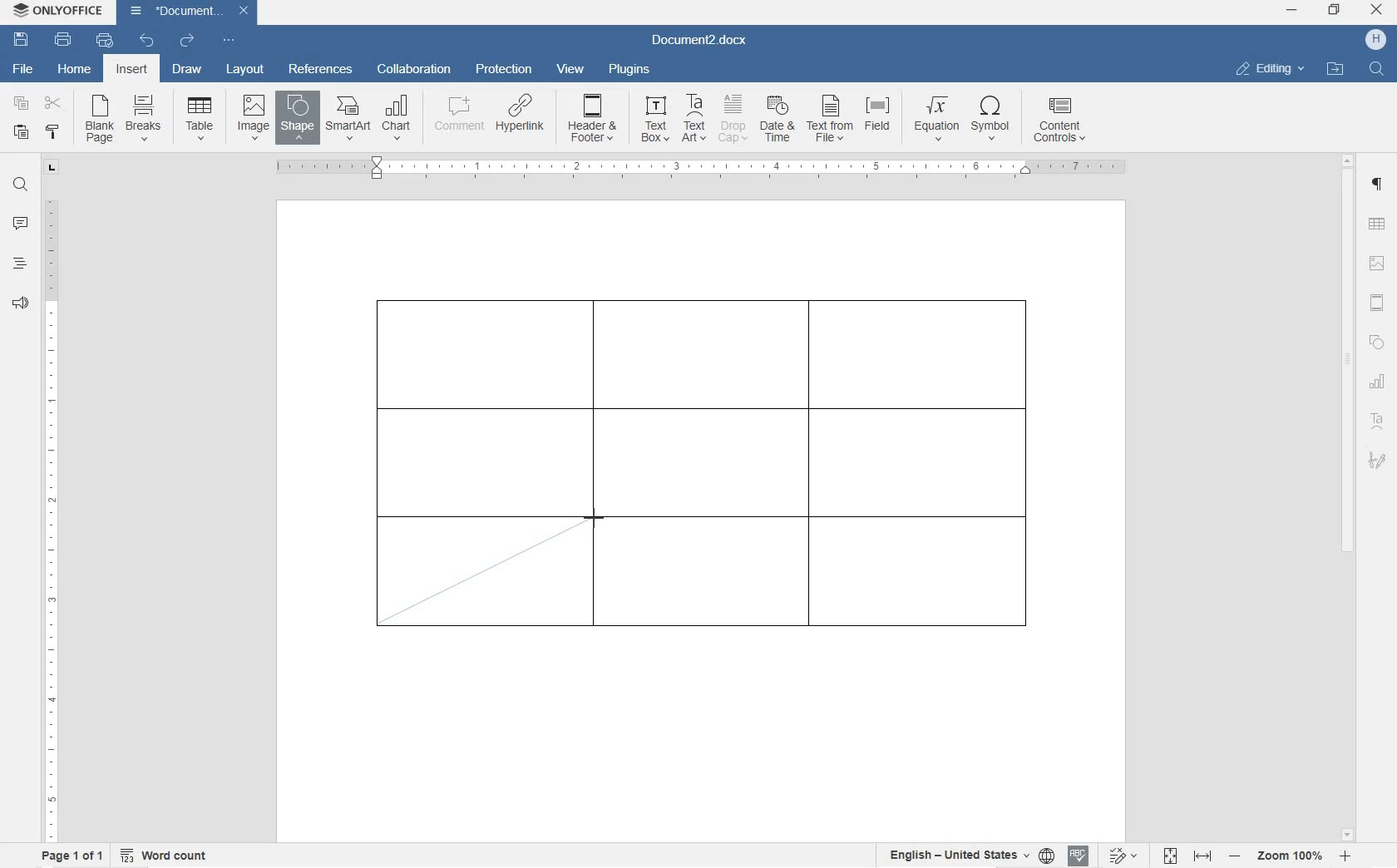 The image size is (1397, 868). Describe the element at coordinates (20, 264) in the screenshot. I see `headings` at that location.